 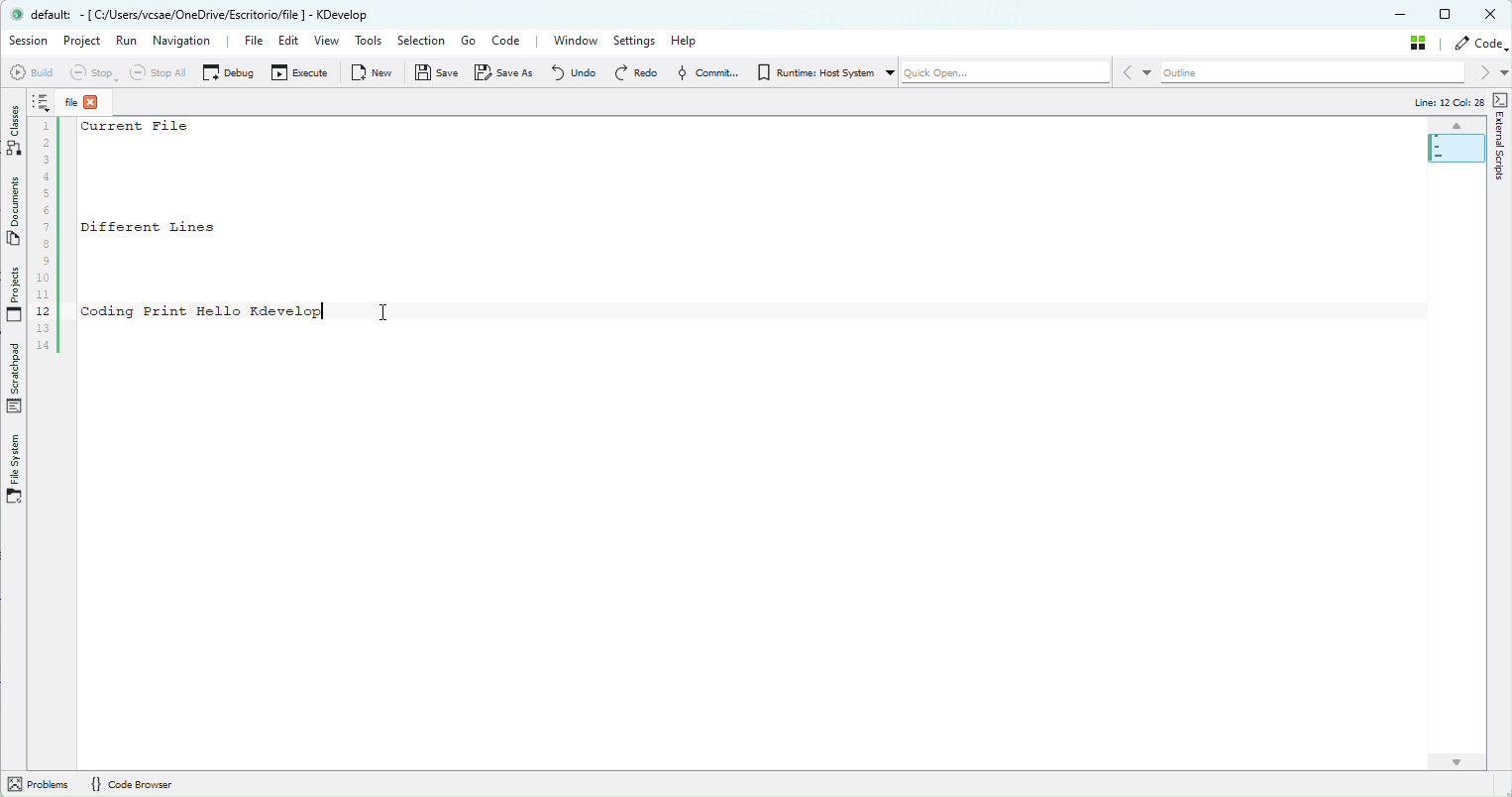 I want to click on External Script, so click(x=1501, y=133).